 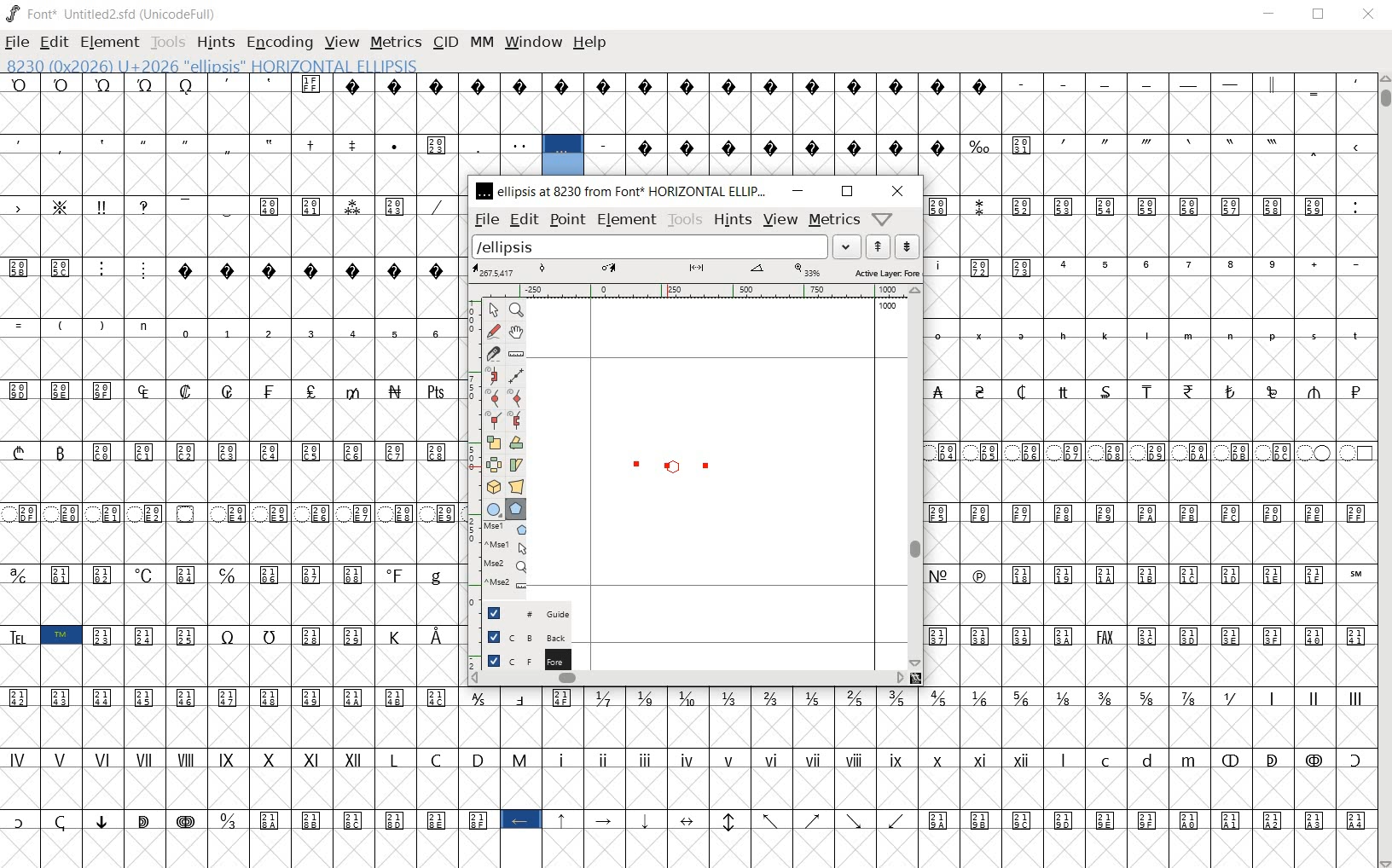 I want to click on Rotate the selection, so click(x=516, y=443).